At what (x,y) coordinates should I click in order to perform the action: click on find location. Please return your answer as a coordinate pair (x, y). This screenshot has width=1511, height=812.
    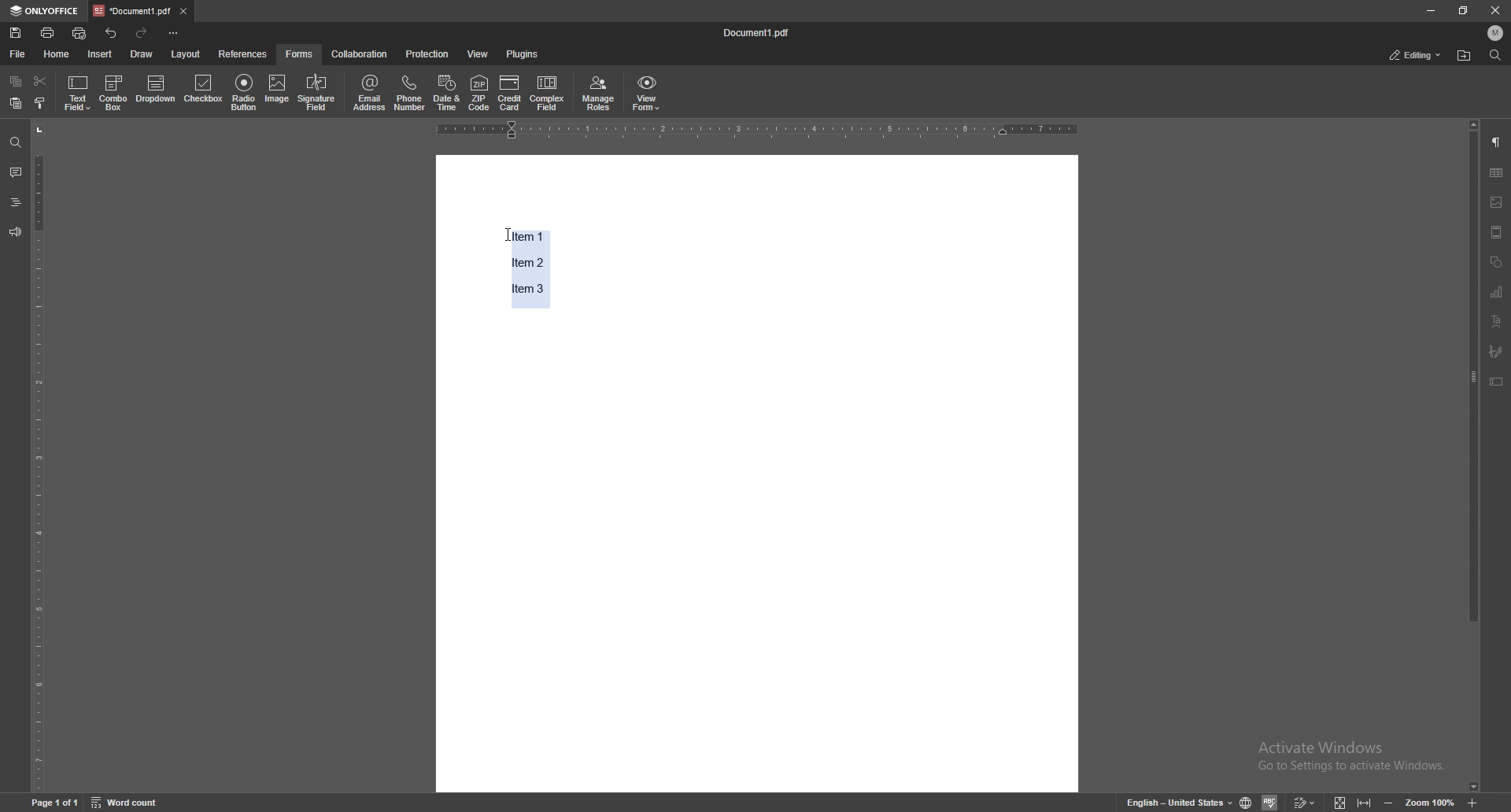
    Looking at the image, I should click on (1464, 57).